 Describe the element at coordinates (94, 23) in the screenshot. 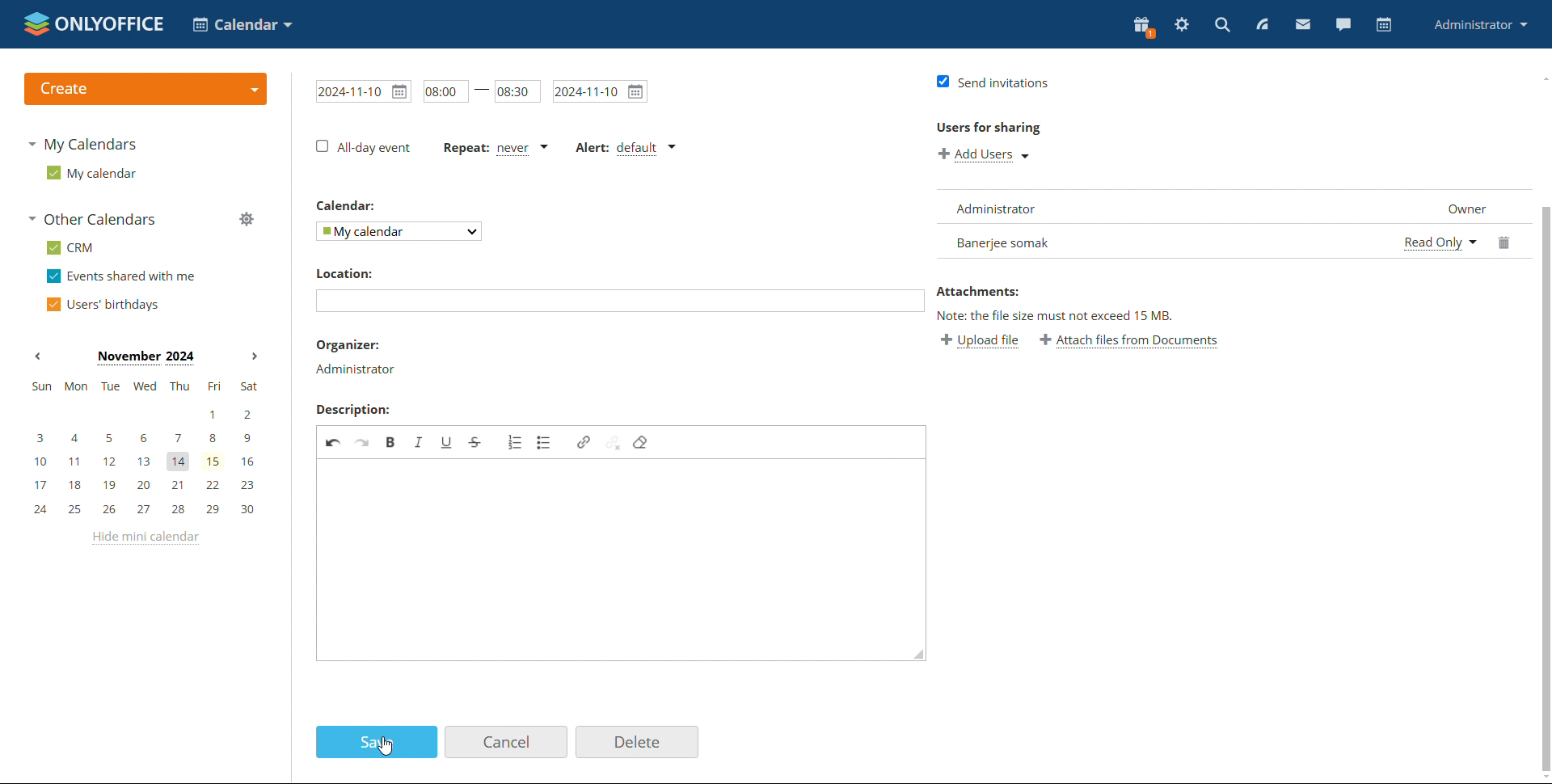

I see `logo` at that location.